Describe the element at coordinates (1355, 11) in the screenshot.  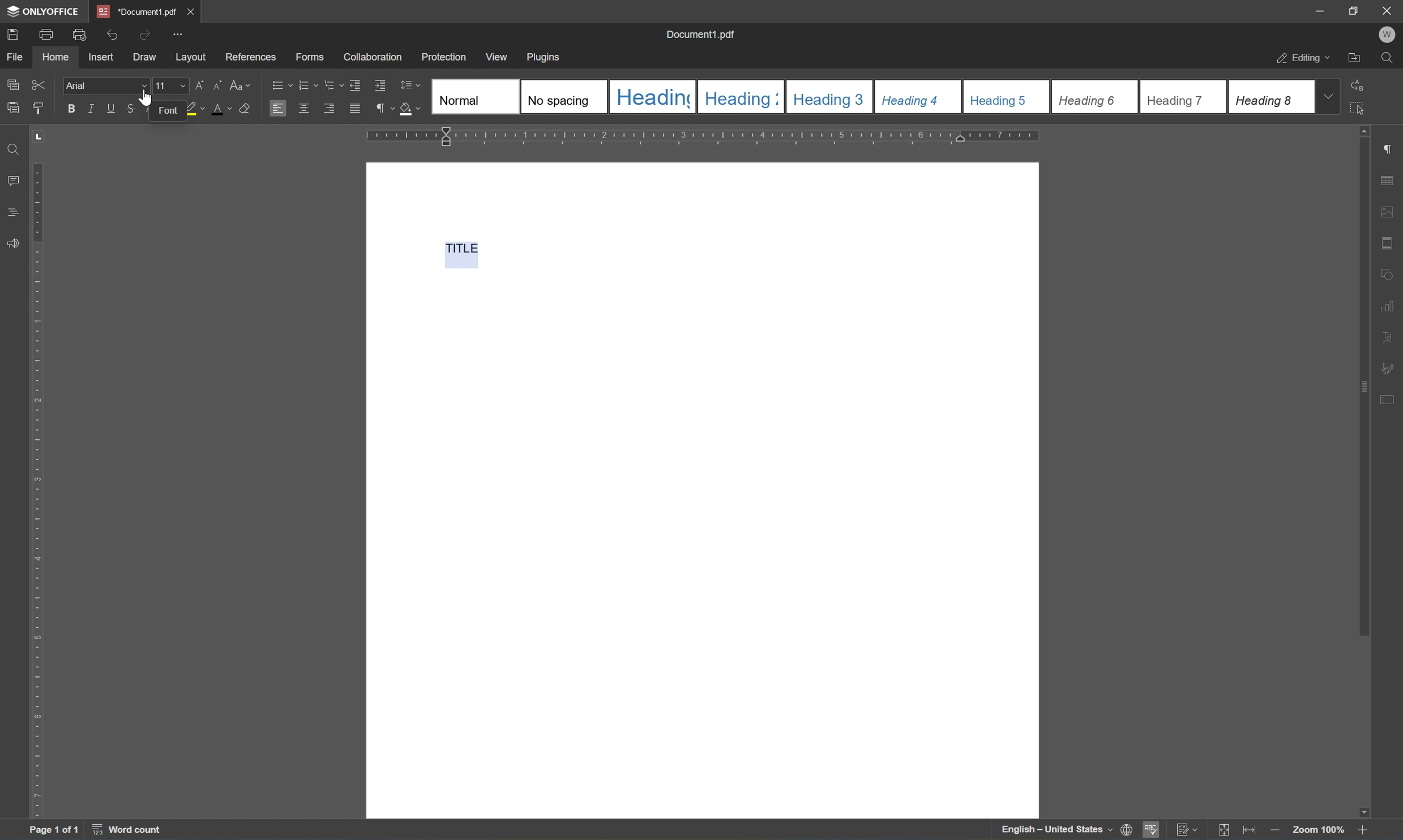
I see `restore down` at that location.